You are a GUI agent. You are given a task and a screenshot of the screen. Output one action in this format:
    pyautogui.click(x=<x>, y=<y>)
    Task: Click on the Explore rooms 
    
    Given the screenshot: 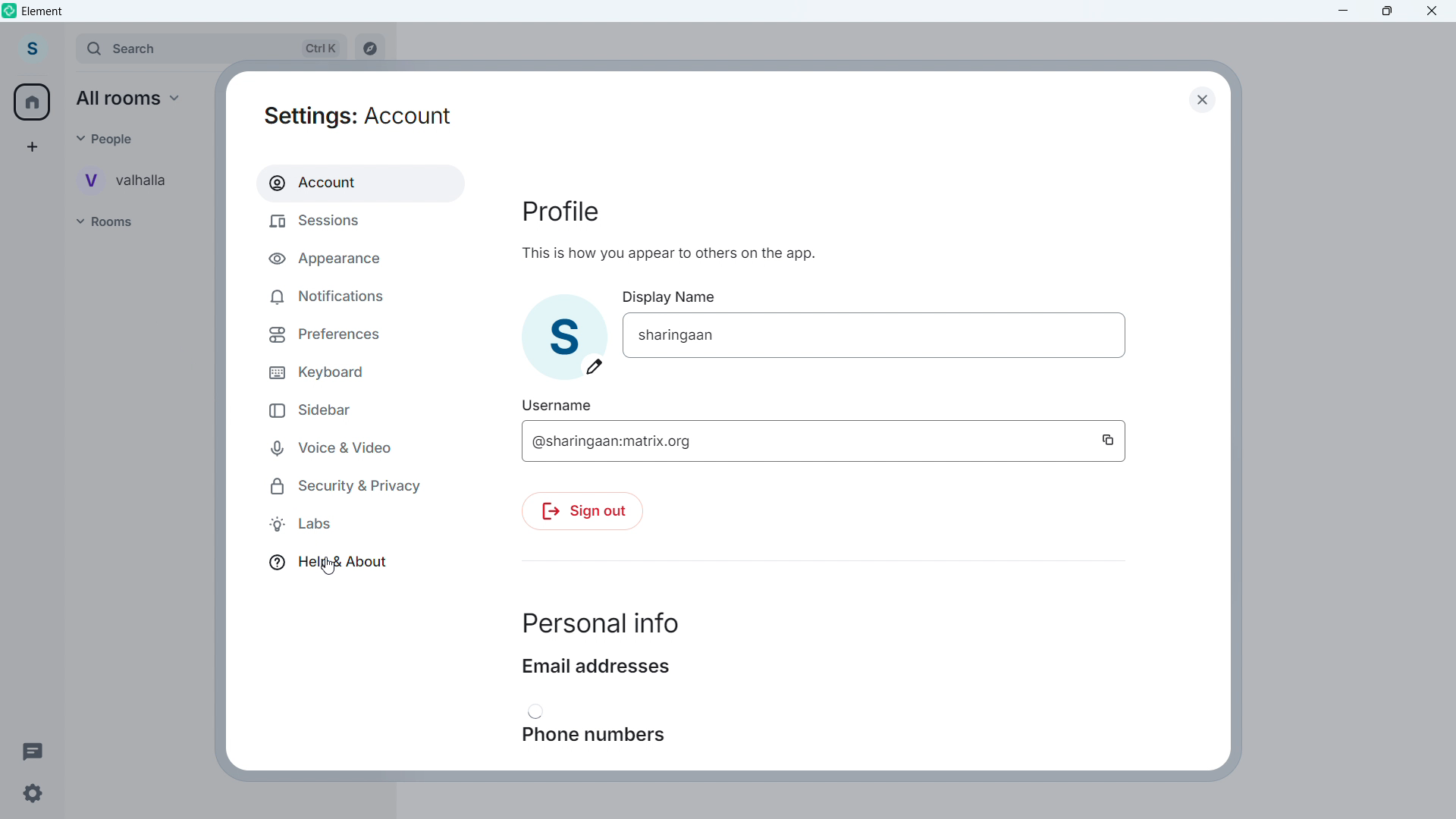 What is the action you would take?
    pyautogui.click(x=369, y=50)
    